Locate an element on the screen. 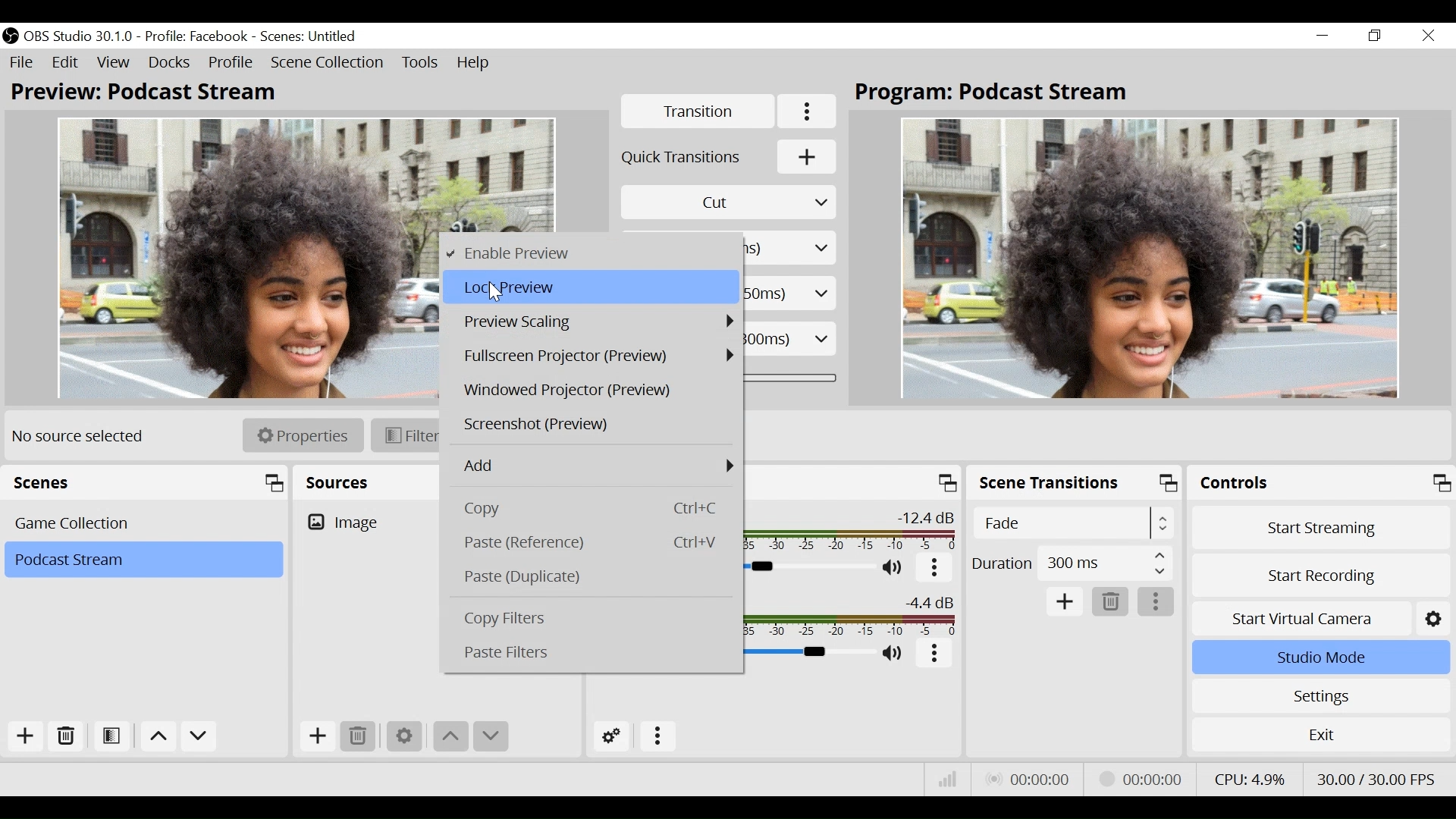 The width and height of the screenshot is (1456, 819). Enable Preview is located at coordinates (590, 253).